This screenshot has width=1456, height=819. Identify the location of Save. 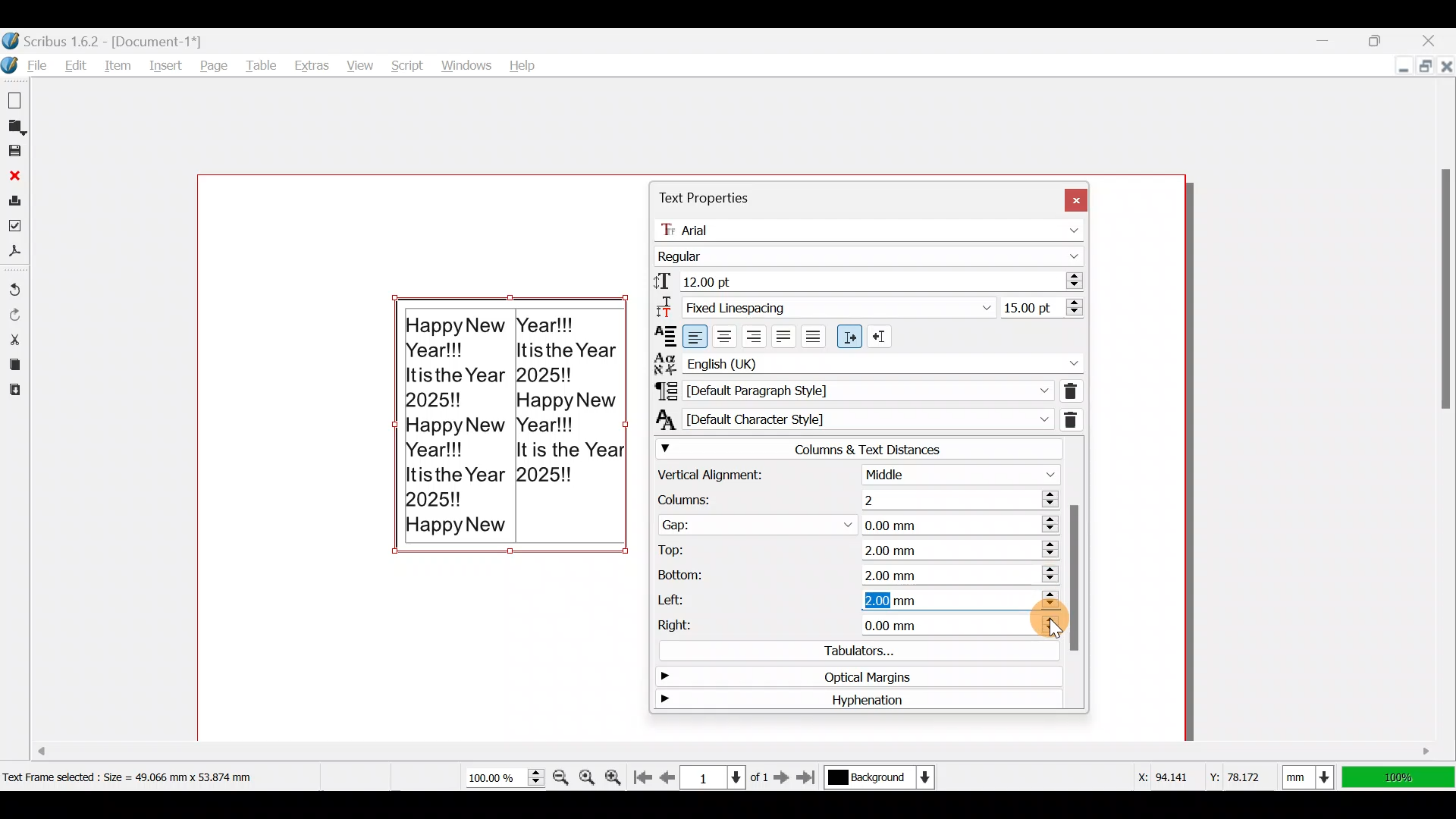
(17, 152).